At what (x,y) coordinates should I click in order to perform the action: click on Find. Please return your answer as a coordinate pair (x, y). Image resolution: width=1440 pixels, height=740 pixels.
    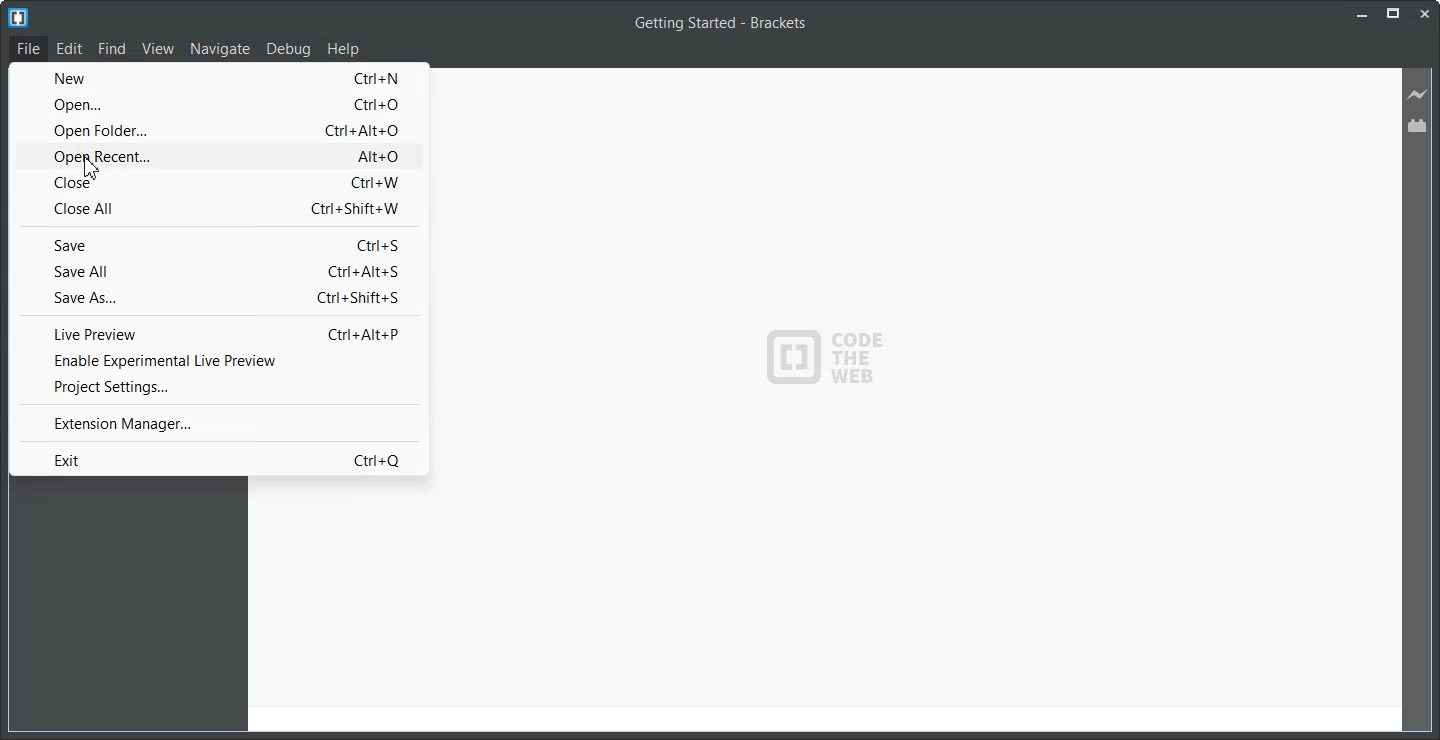
    Looking at the image, I should click on (112, 49).